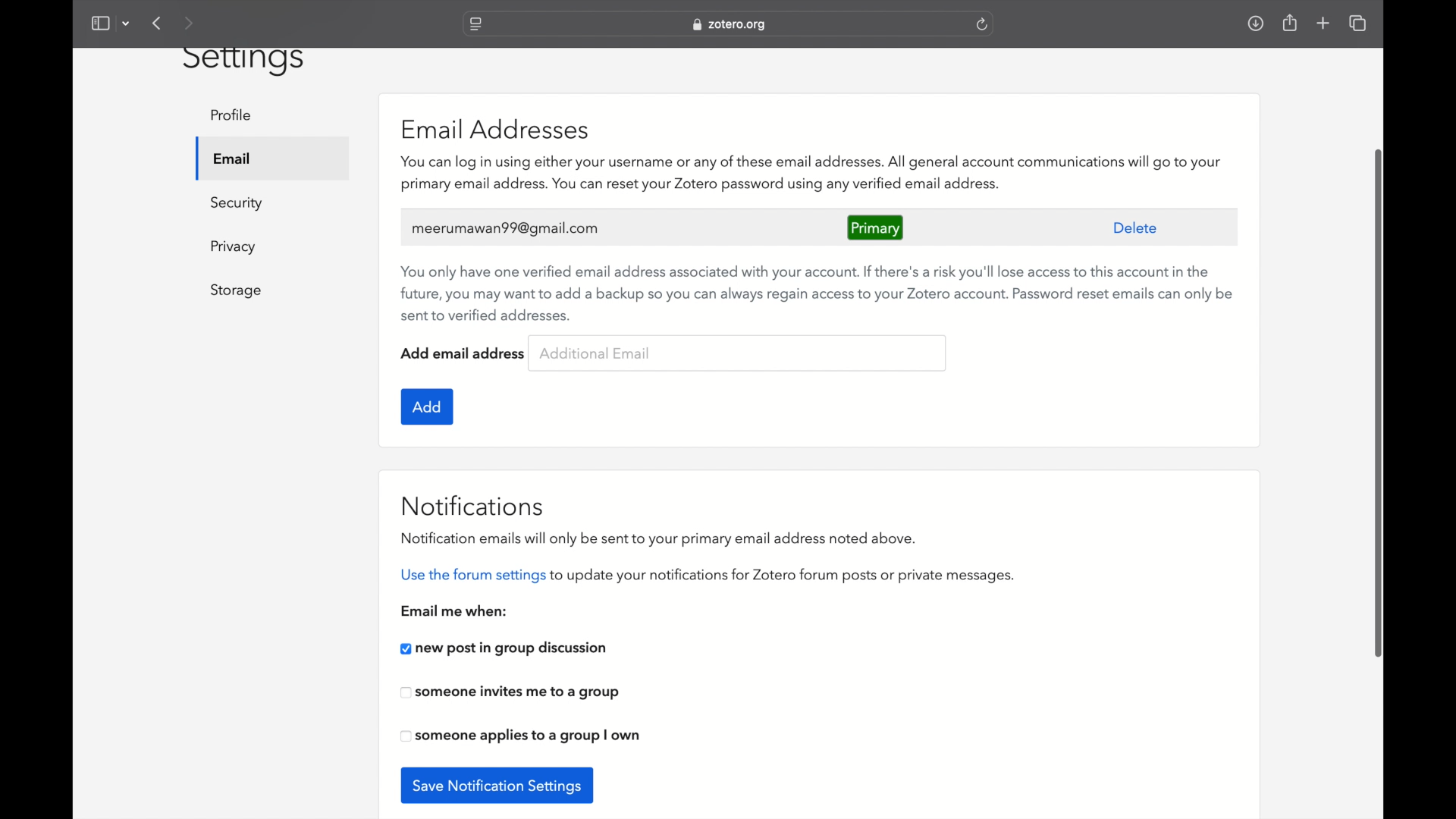 This screenshot has width=1456, height=819. I want to click on scroll box, so click(1377, 402).